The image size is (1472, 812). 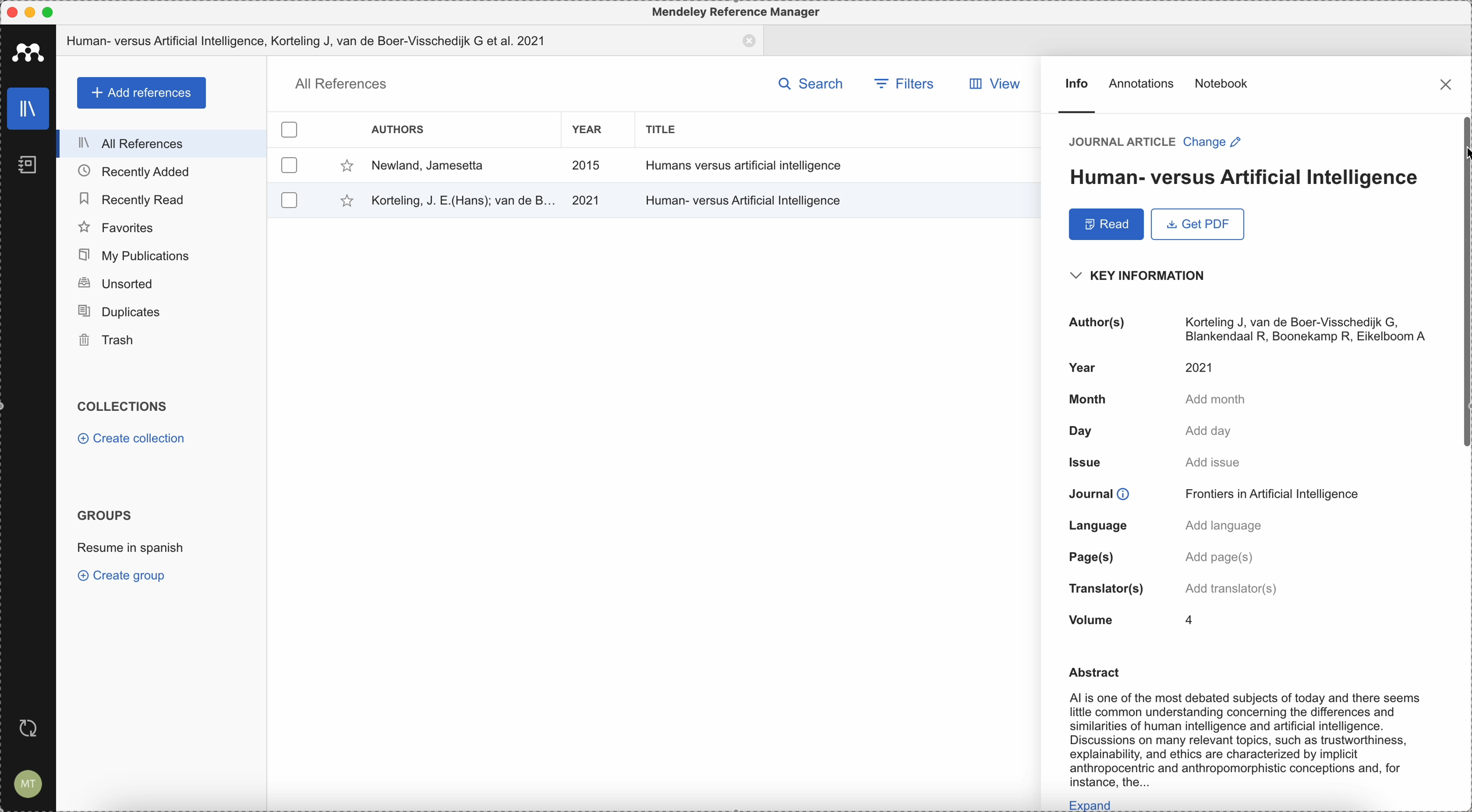 I want to click on issue add issue, so click(x=1154, y=461).